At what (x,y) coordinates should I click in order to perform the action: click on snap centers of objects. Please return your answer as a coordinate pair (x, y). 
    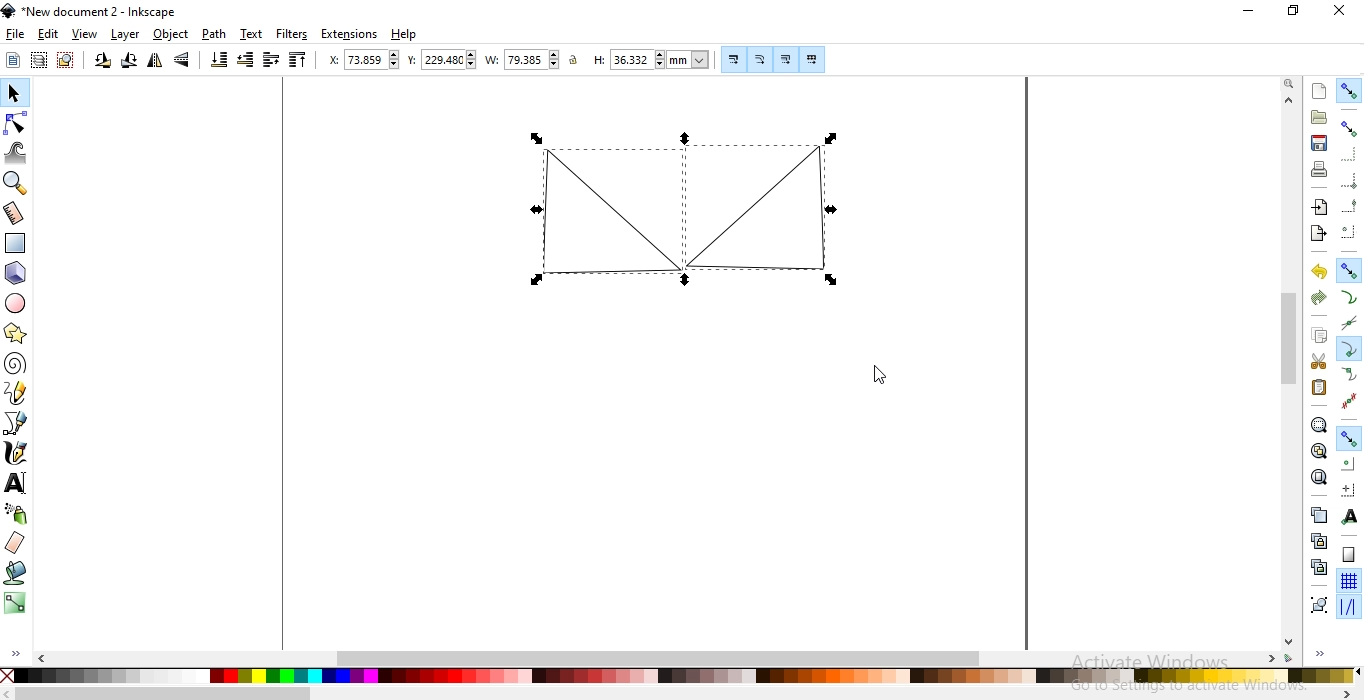
    Looking at the image, I should click on (1348, 464).